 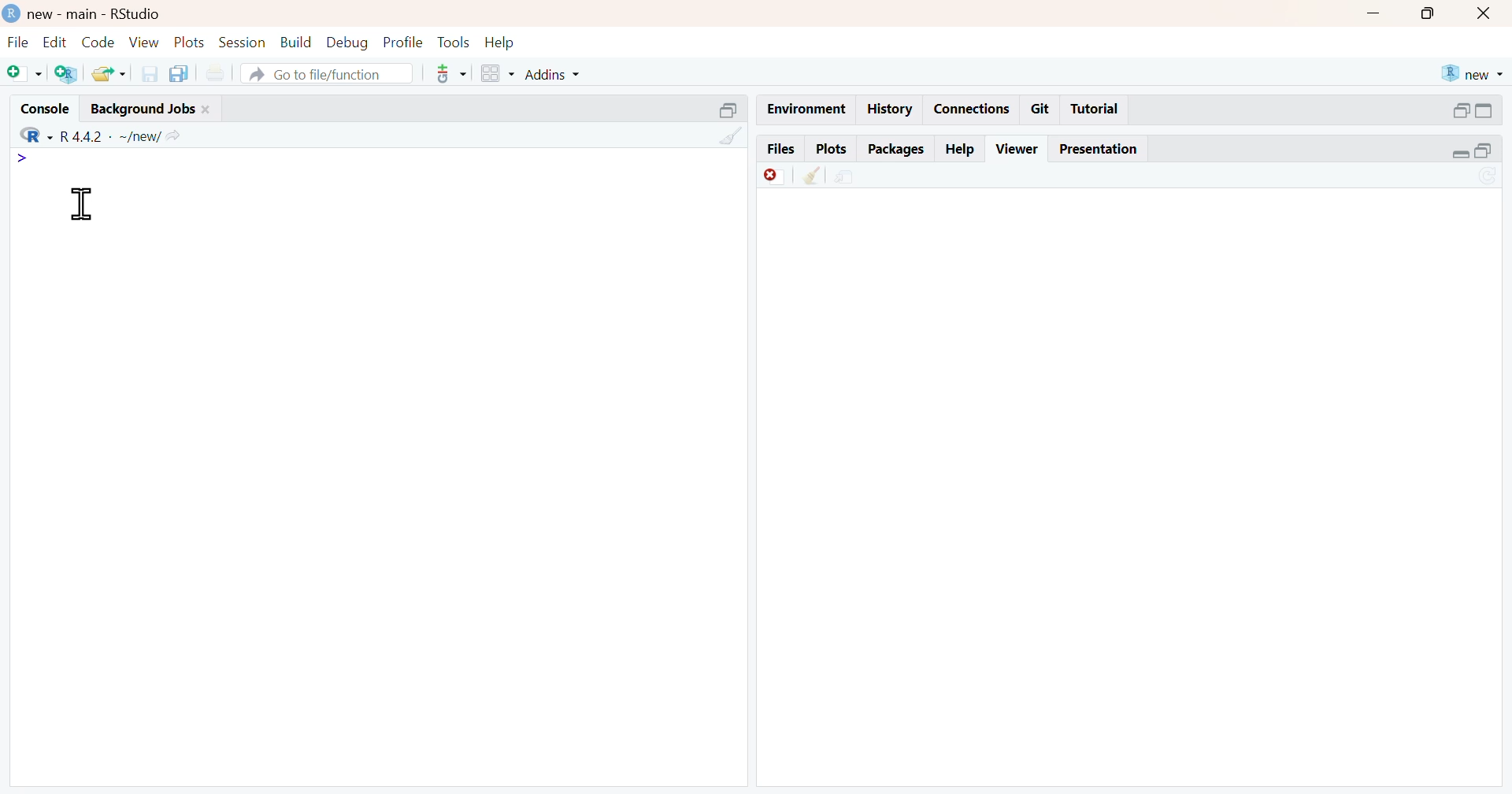 I want to click on Addins, so click(x=552, y=74).